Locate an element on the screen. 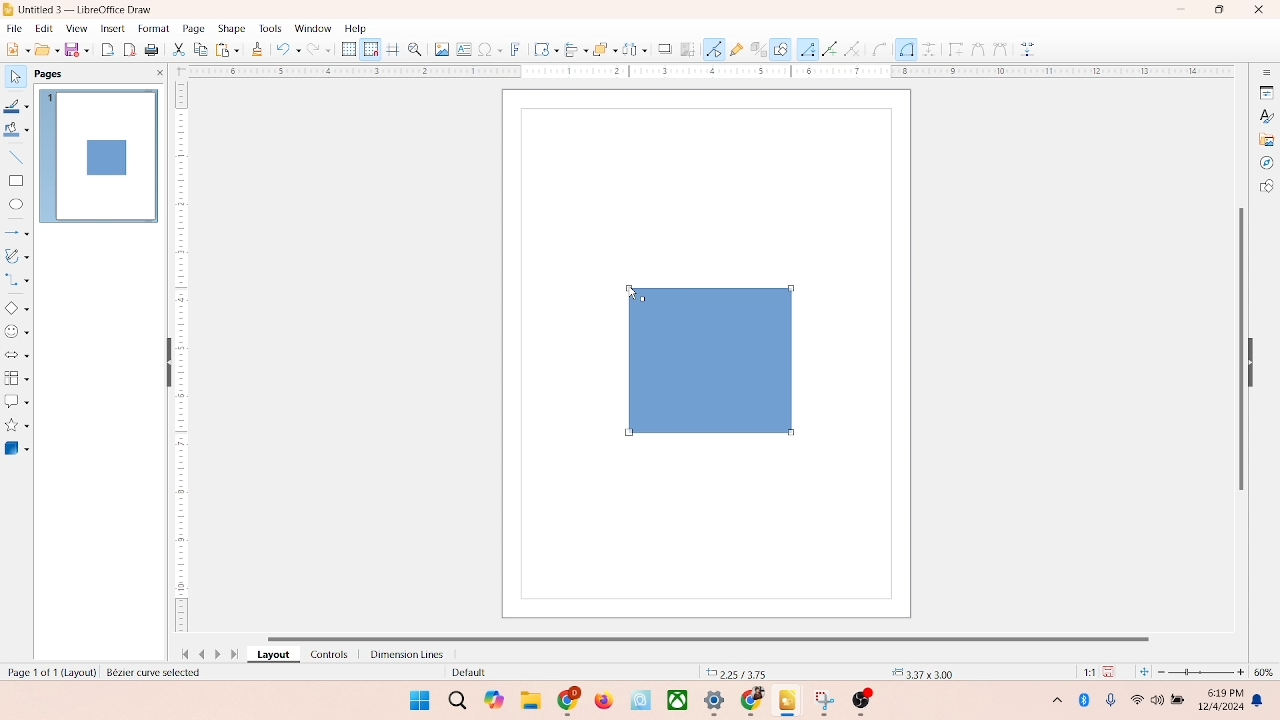 Image resolution: width=1280 pixels, height=720 pixels. page 1 is located at coordinates (99, 155).